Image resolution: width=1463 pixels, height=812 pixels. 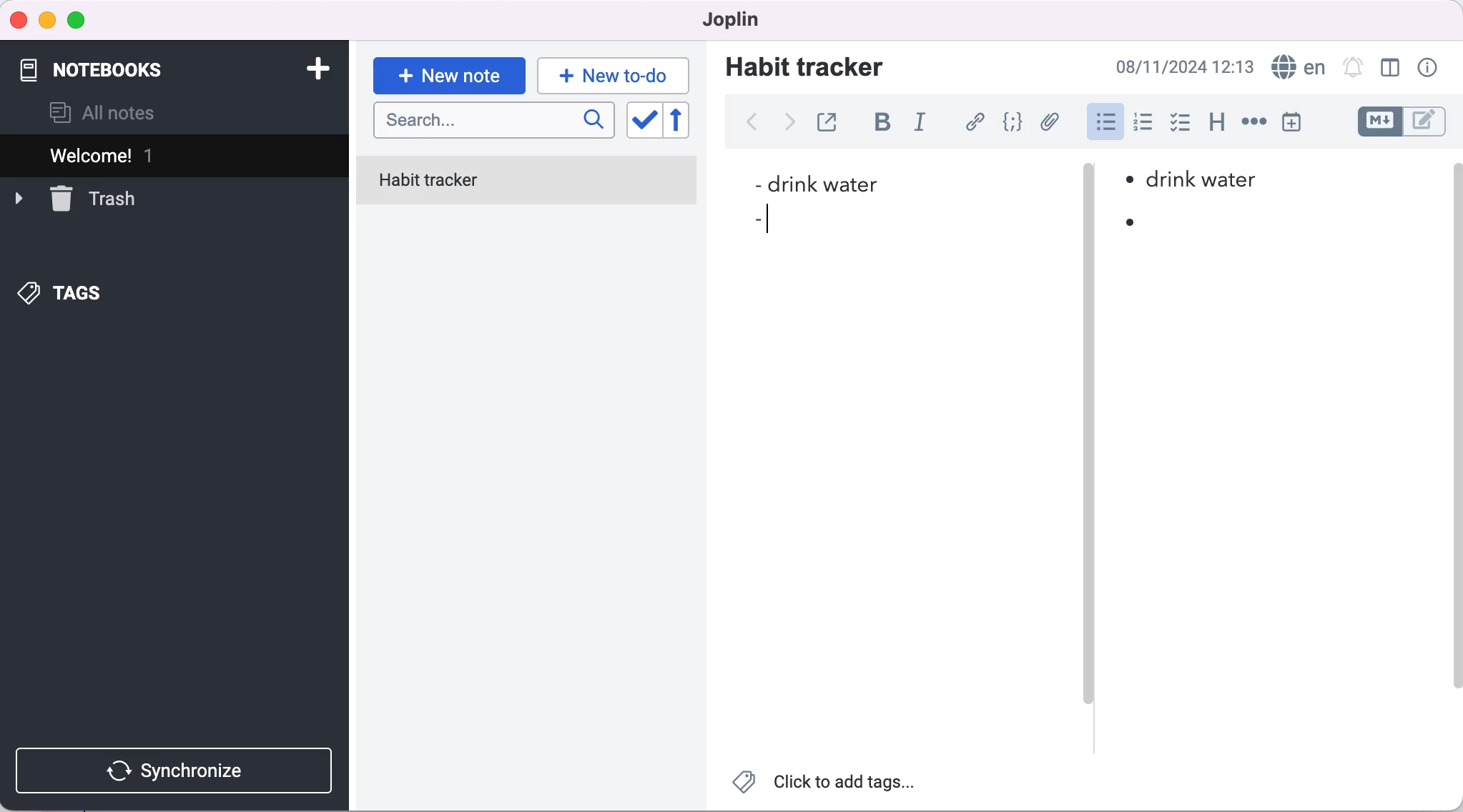 I want to click on italic, so click(x=924, y=124).